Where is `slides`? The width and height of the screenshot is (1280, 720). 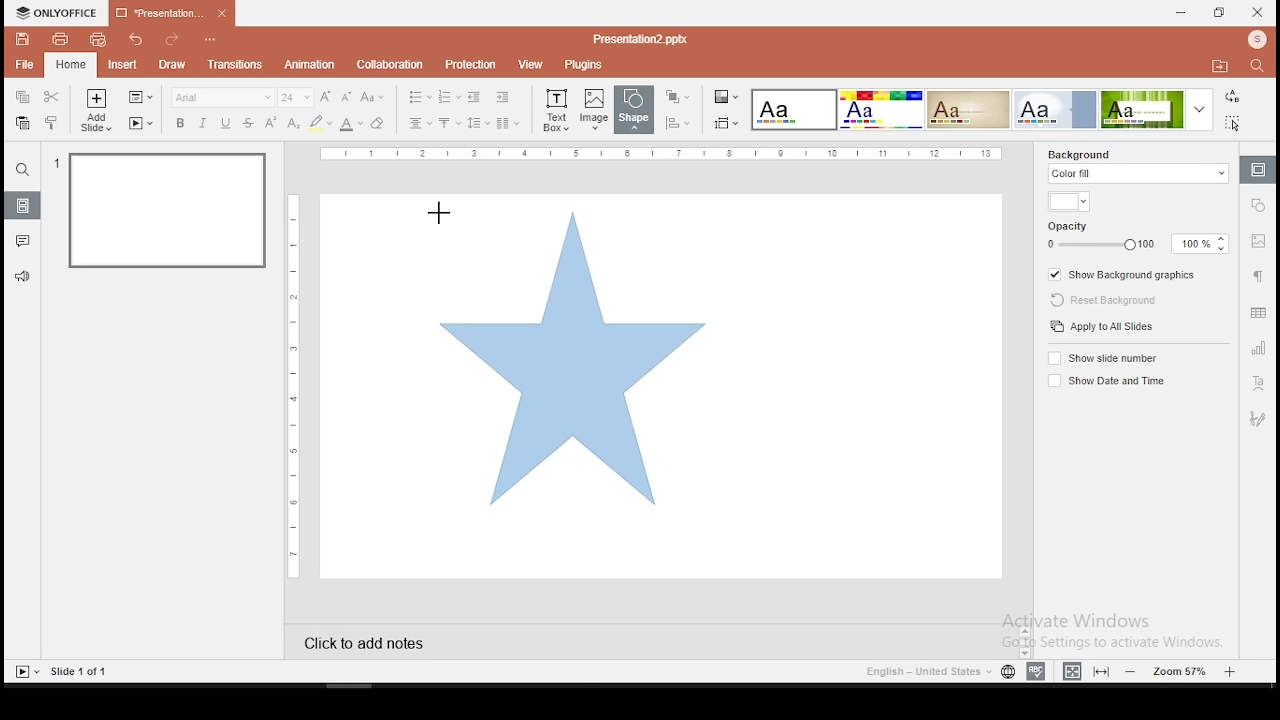
slides is located at coordinates (21, 205).